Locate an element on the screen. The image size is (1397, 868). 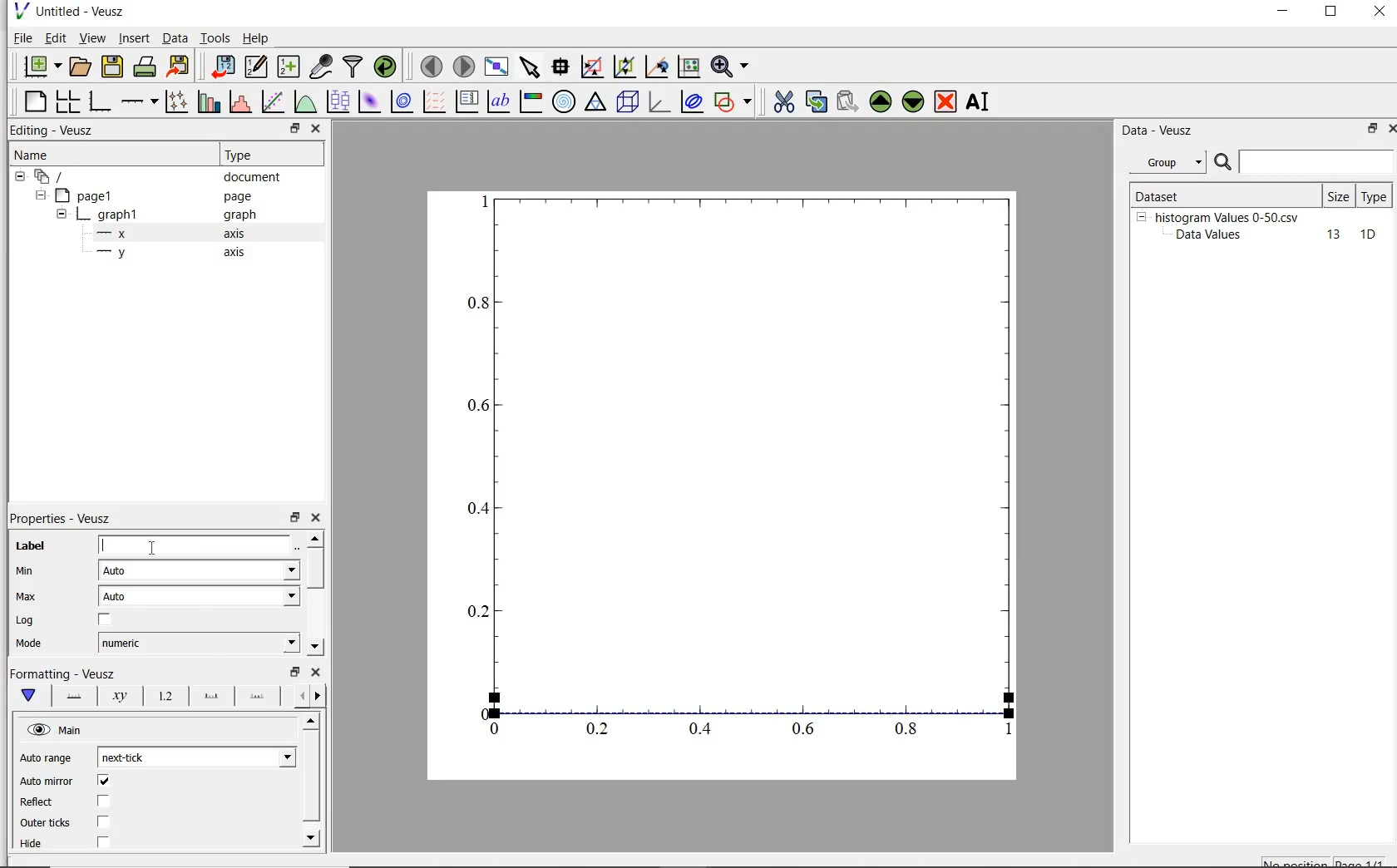
y-axis is located at coordinates (115, 253).